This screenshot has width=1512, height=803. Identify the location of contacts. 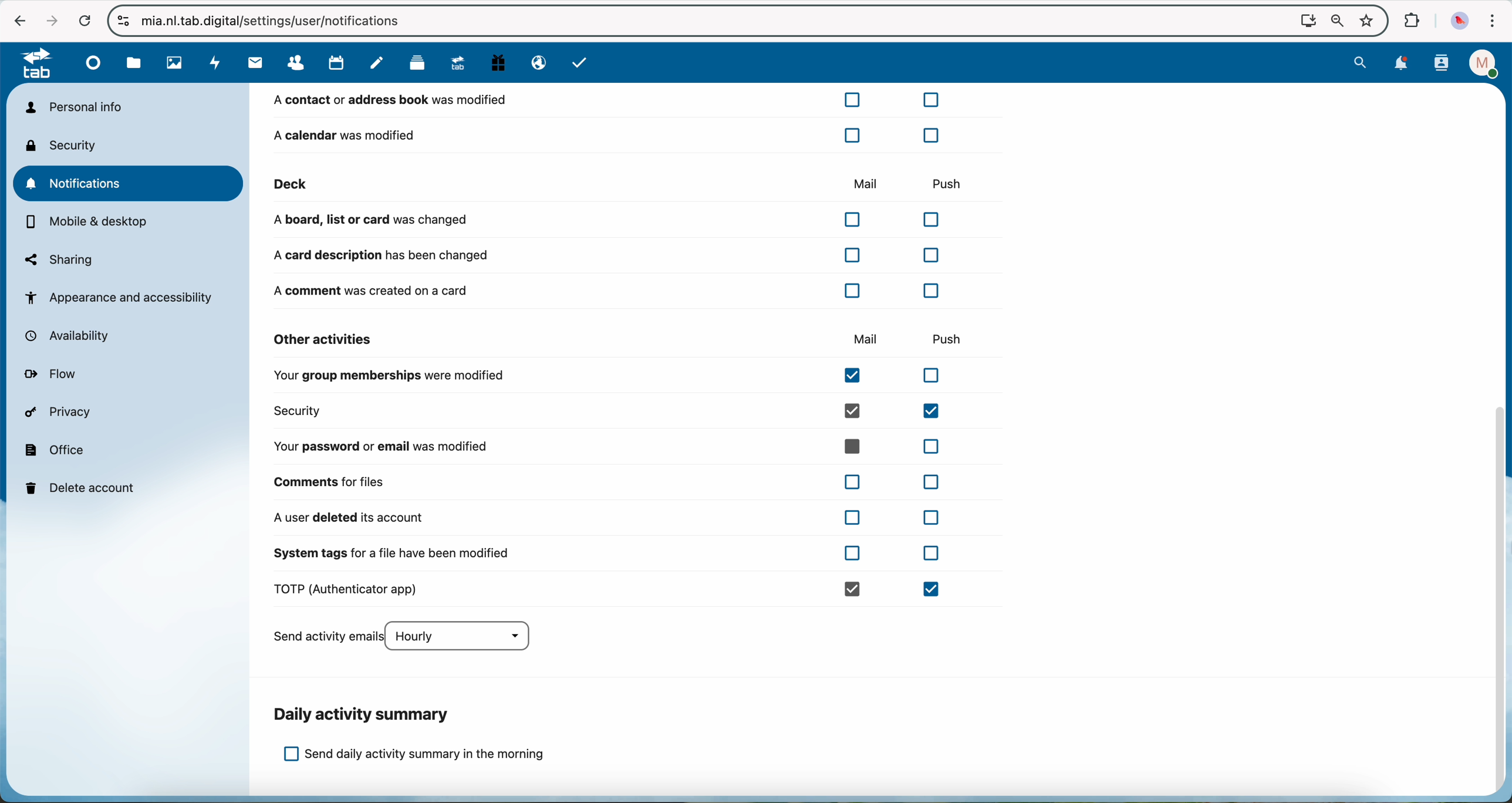
(299, 63).